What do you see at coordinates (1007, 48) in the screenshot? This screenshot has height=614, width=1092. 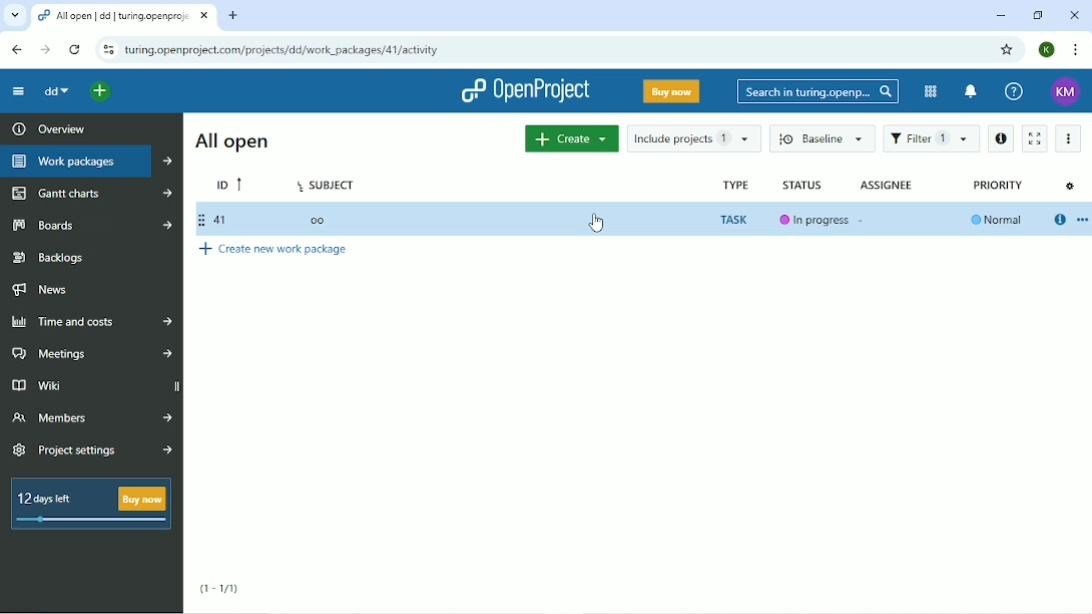 I see `Bookmark this tab` at bounding box center [1007, 48].